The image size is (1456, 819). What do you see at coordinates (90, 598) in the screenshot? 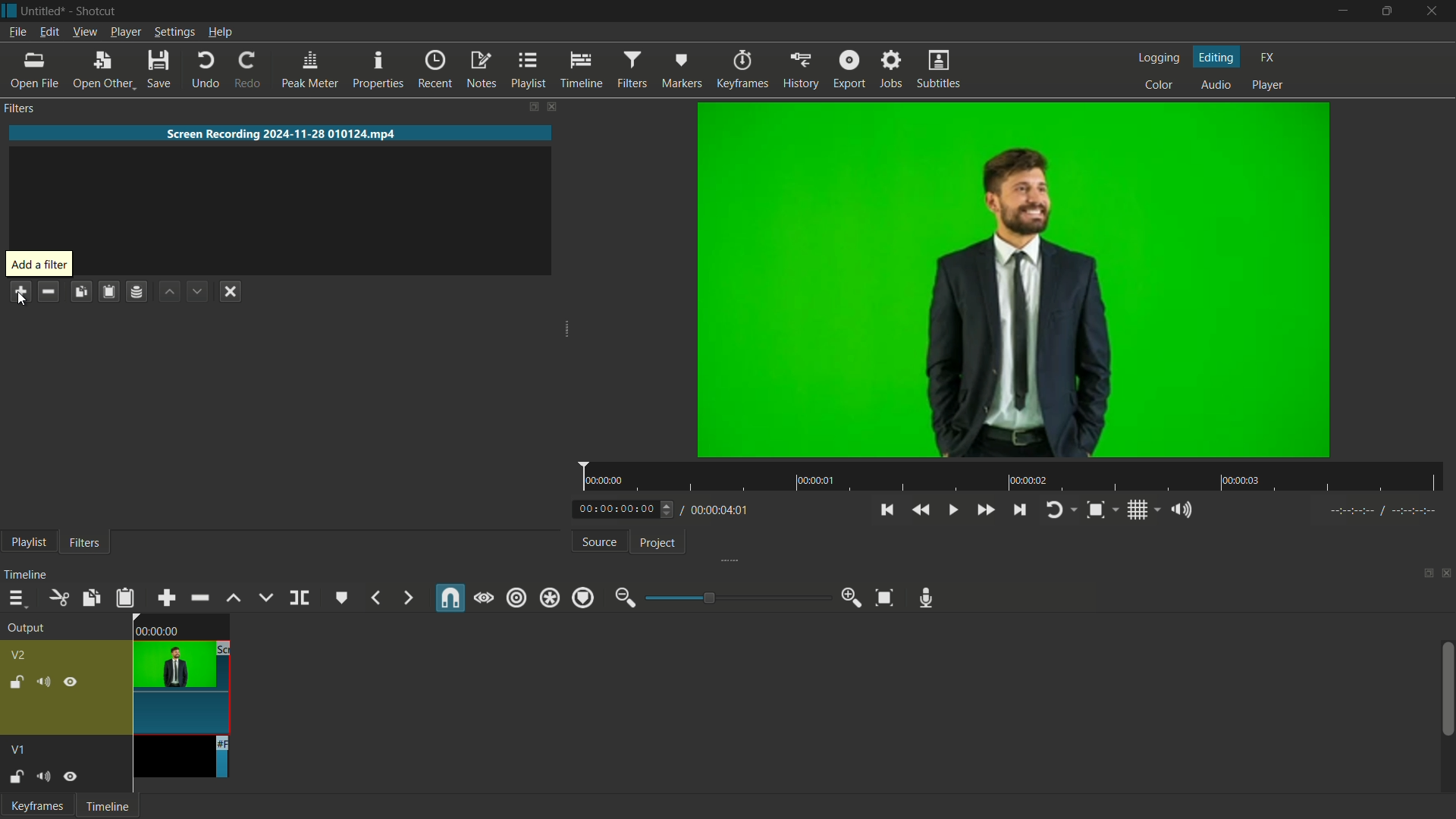
I see `copy` at bounding box center [90, 598].